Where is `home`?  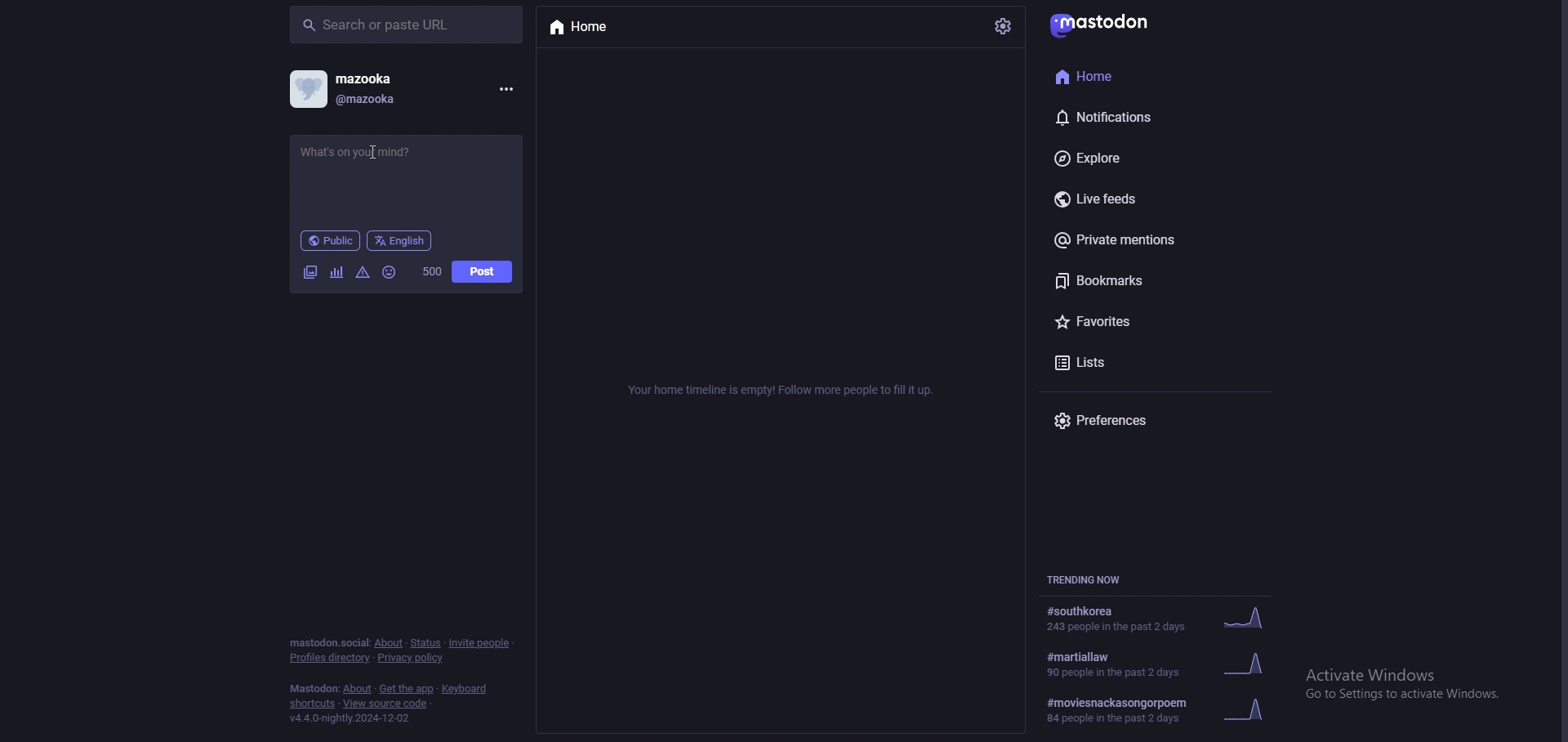 home is located at coordinates (1125, 78).